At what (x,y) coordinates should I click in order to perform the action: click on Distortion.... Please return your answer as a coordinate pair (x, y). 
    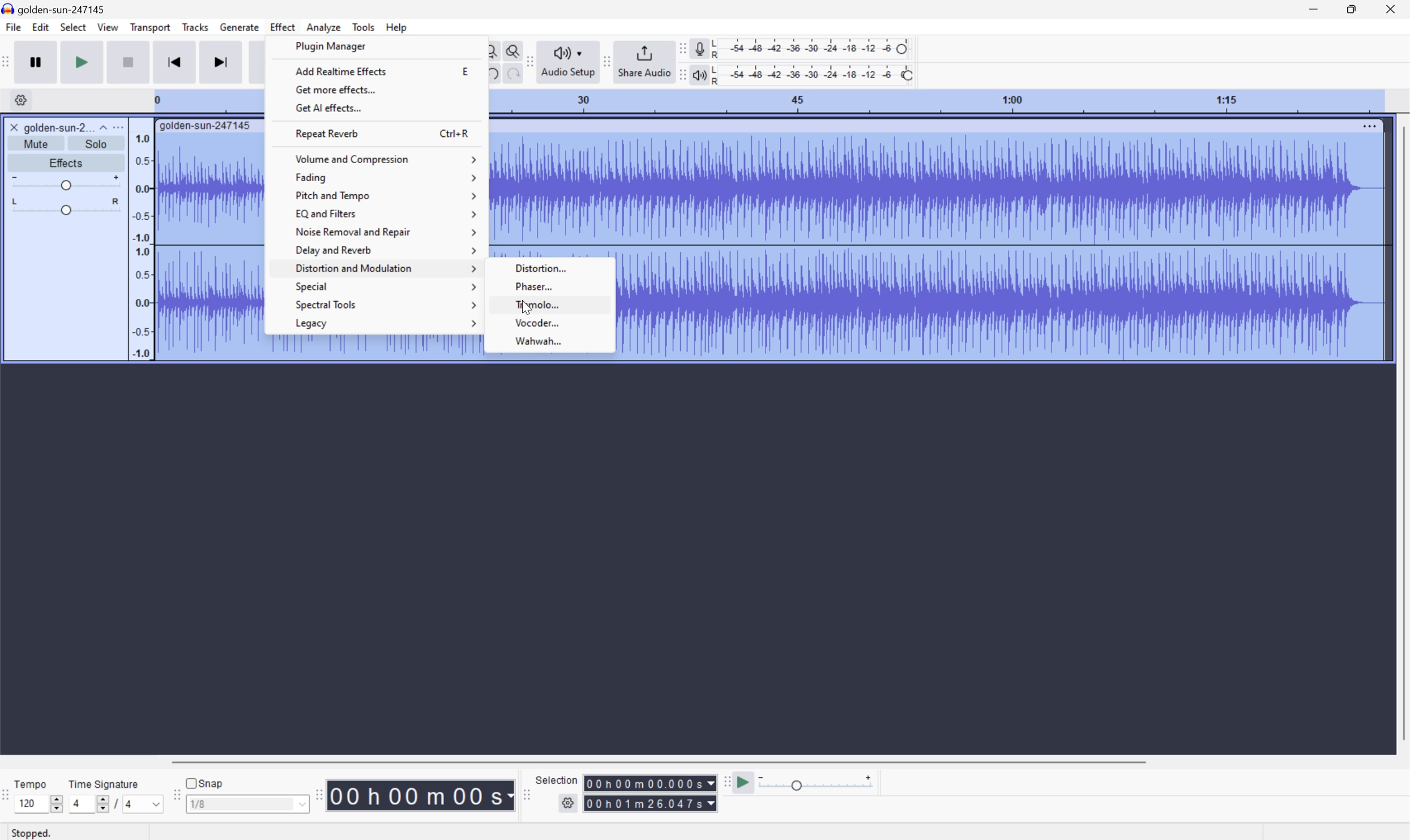
    Looking at the image, I should click on (556, 267).